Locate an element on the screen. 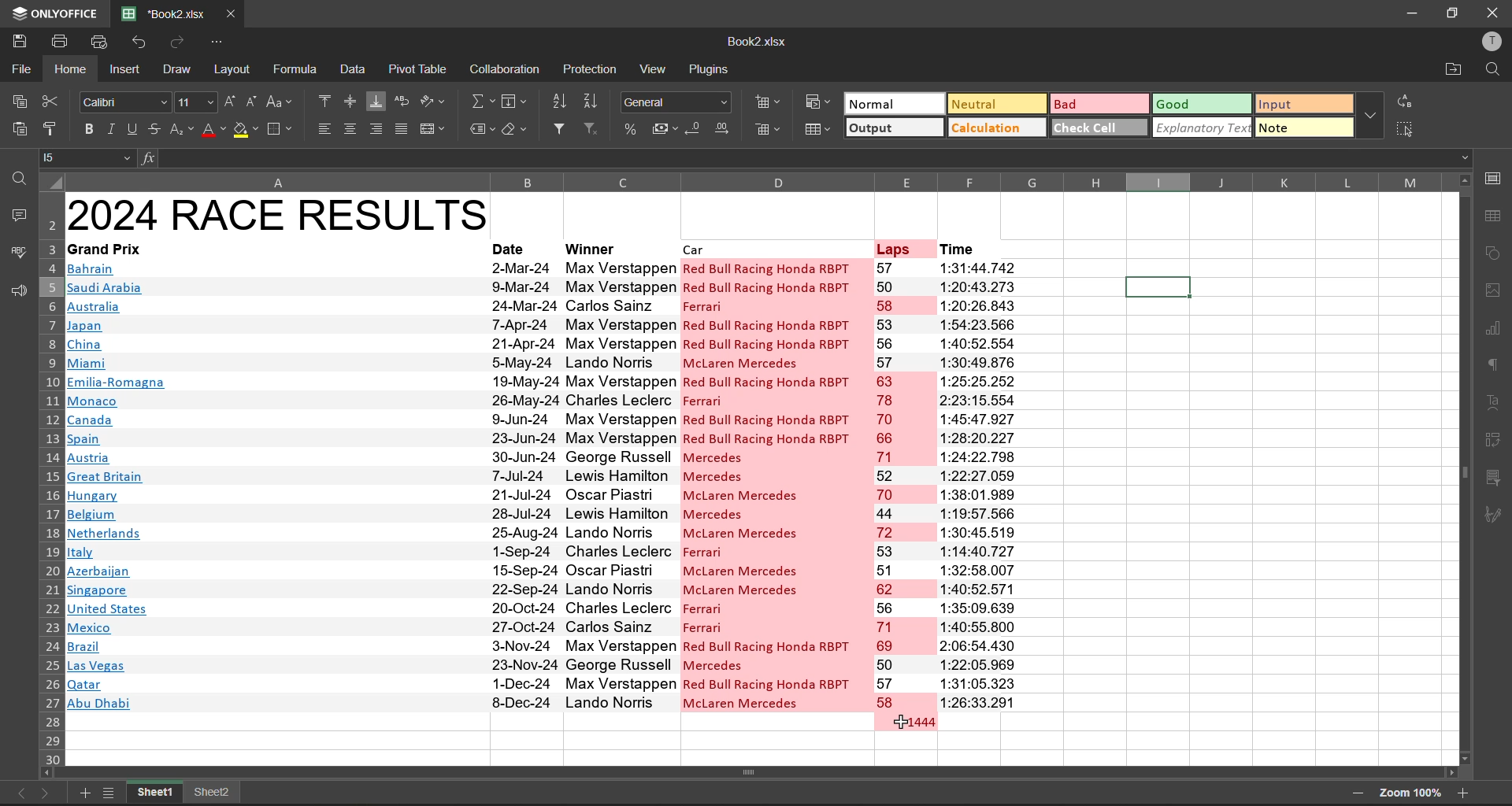  winners is located at coordinates (619, 483).